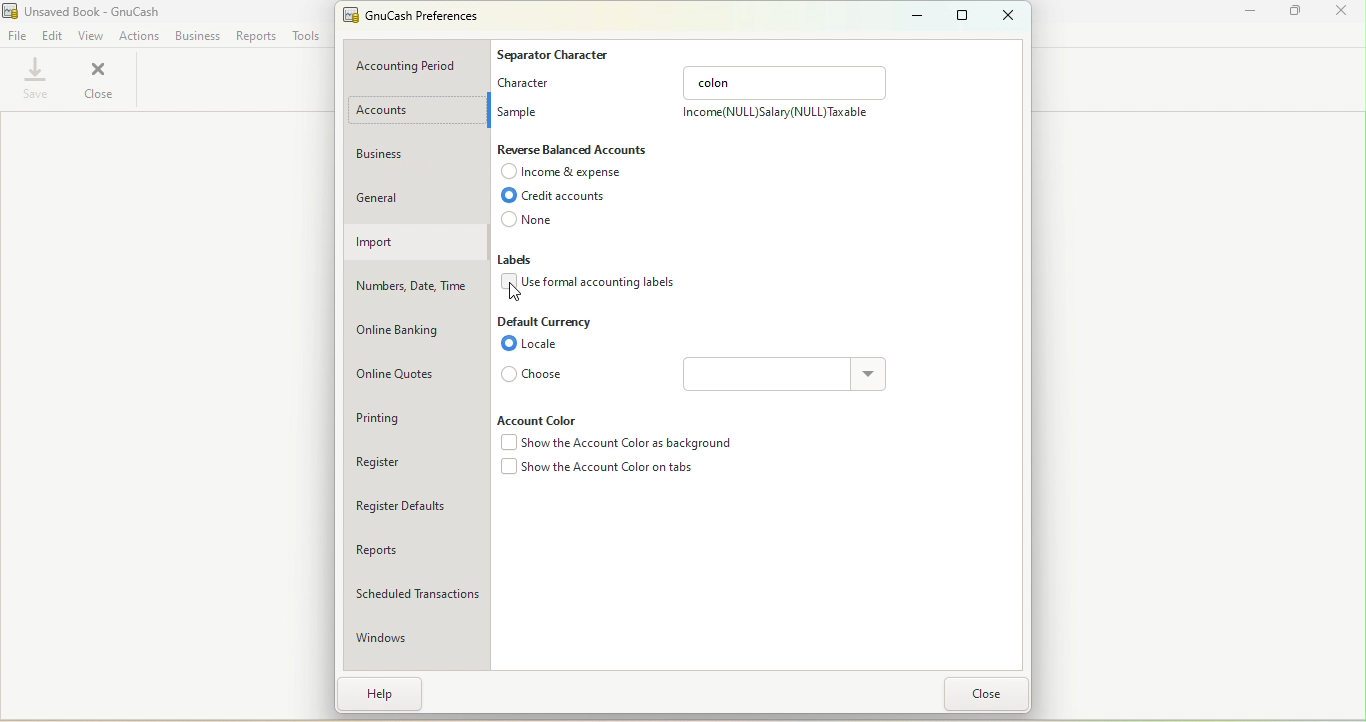  Describe the element at coordinates (100, 80) in the screenshot. I see `Close` at that location.